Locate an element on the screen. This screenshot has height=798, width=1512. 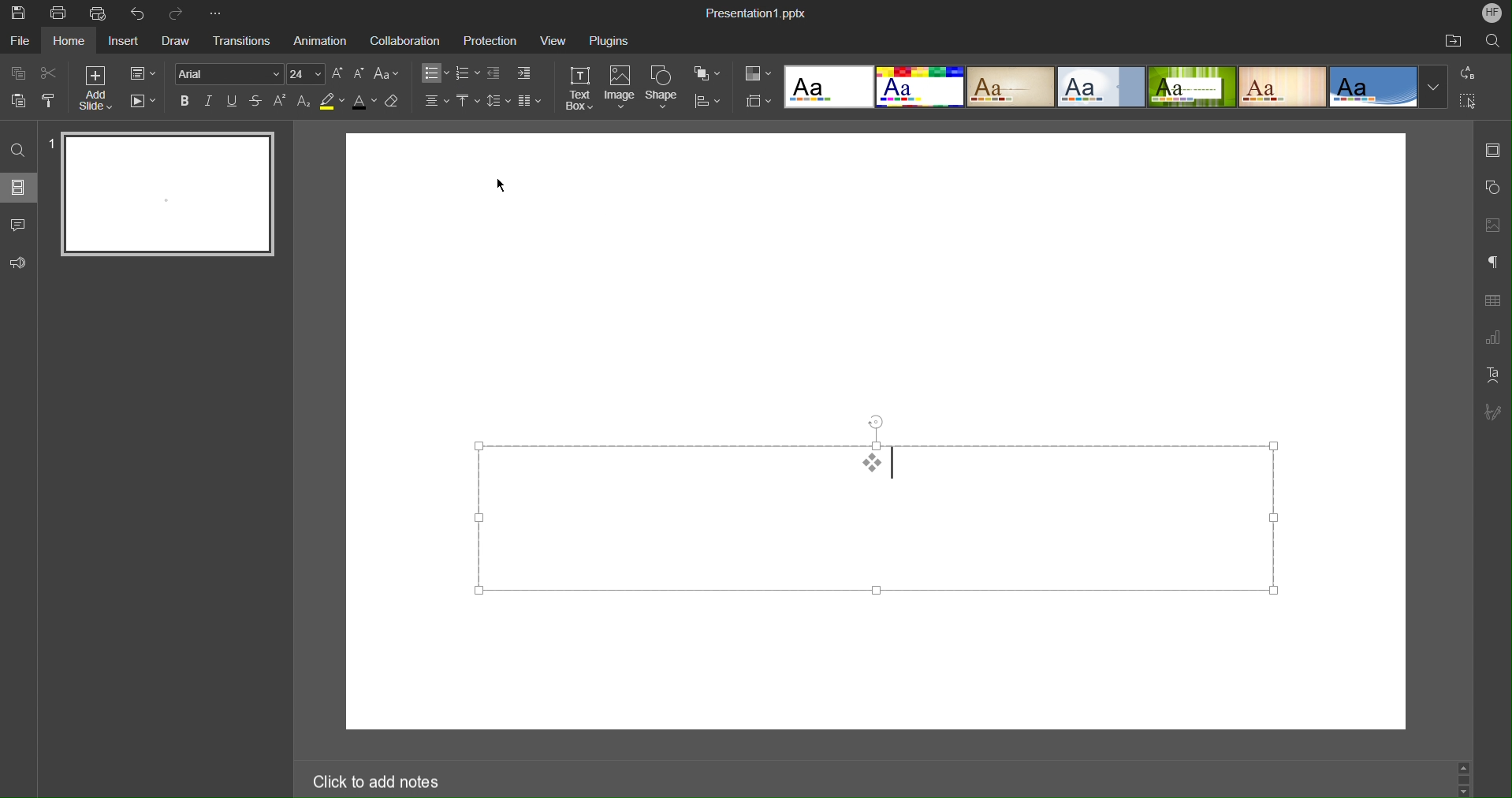
template is located at coordinates (1101, 88).